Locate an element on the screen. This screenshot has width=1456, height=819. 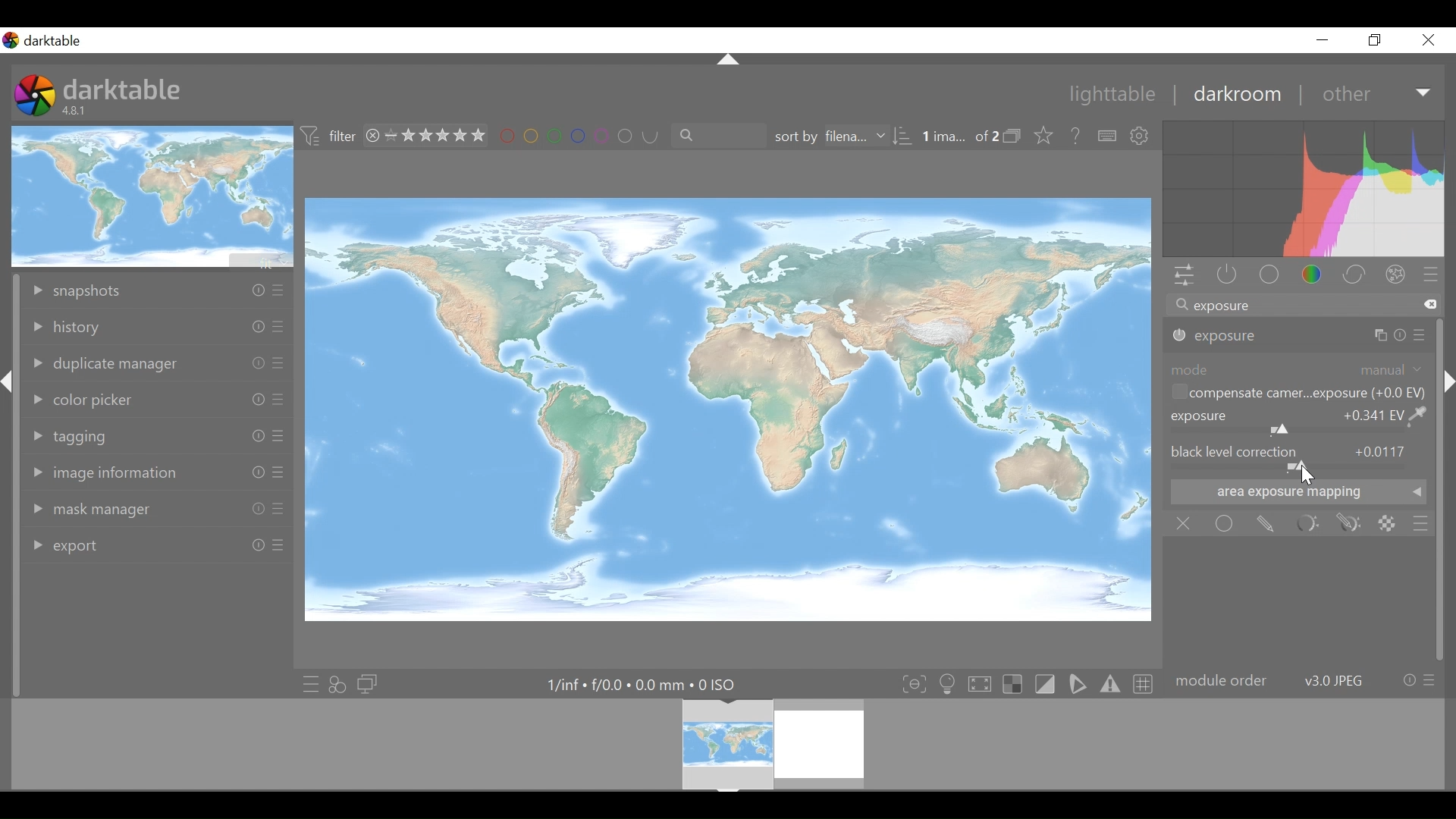
mask manager is located at coordinates (155, 509).